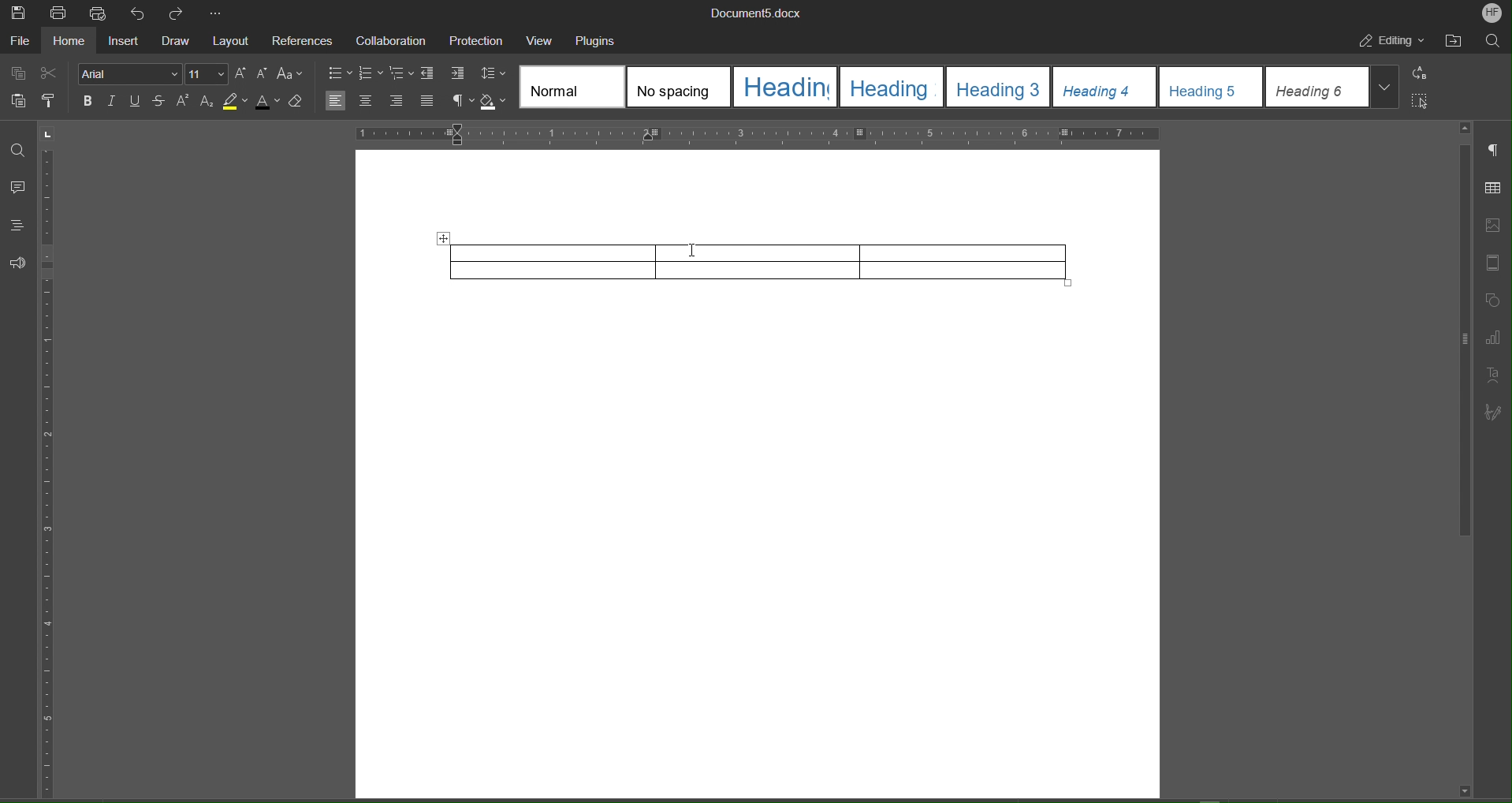 This screenshot has height=803, width=1512. I want to click on Increase Size, so click(240, 74).